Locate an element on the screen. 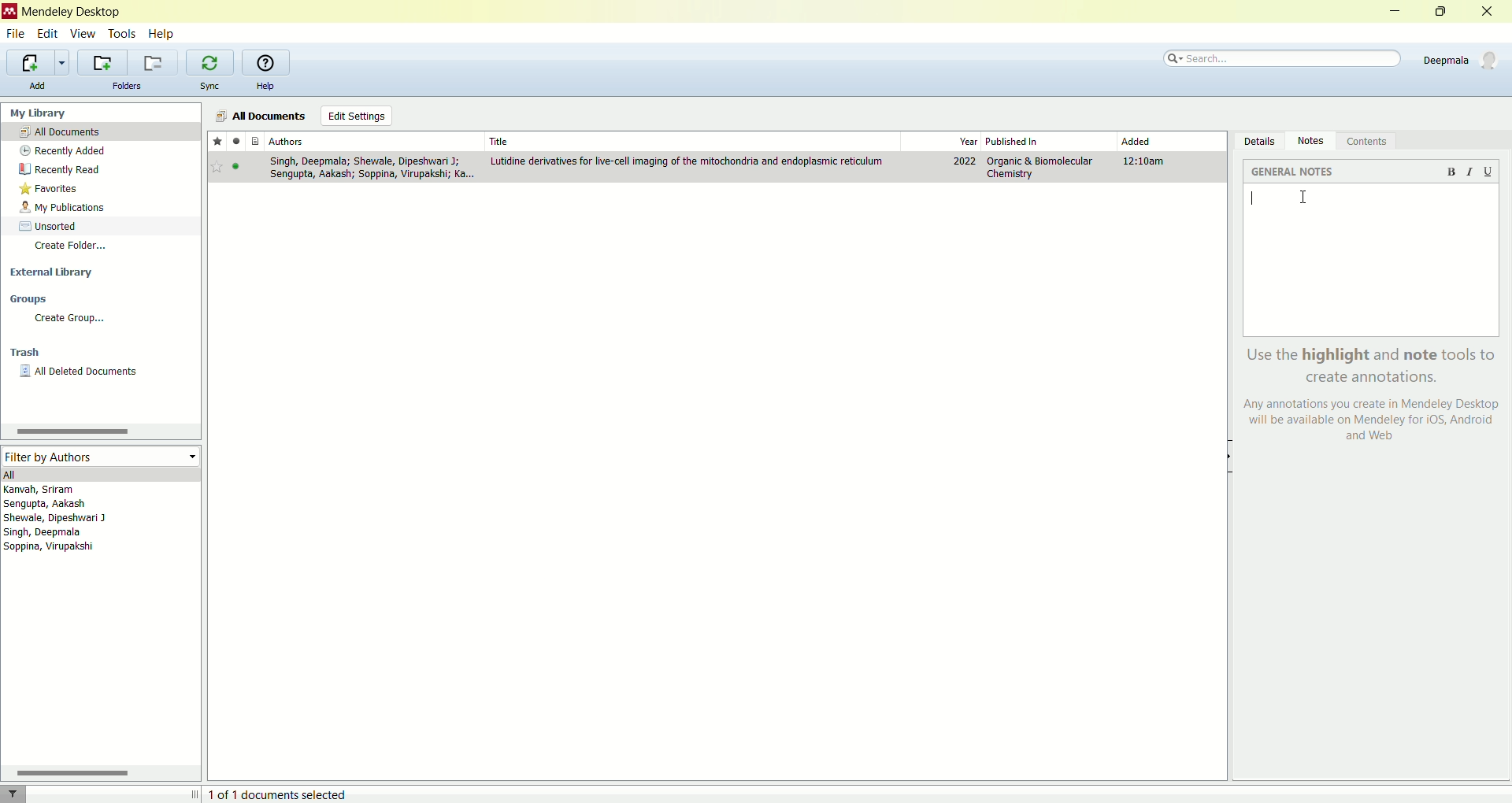  2022 is located at coordinates (965, 162).